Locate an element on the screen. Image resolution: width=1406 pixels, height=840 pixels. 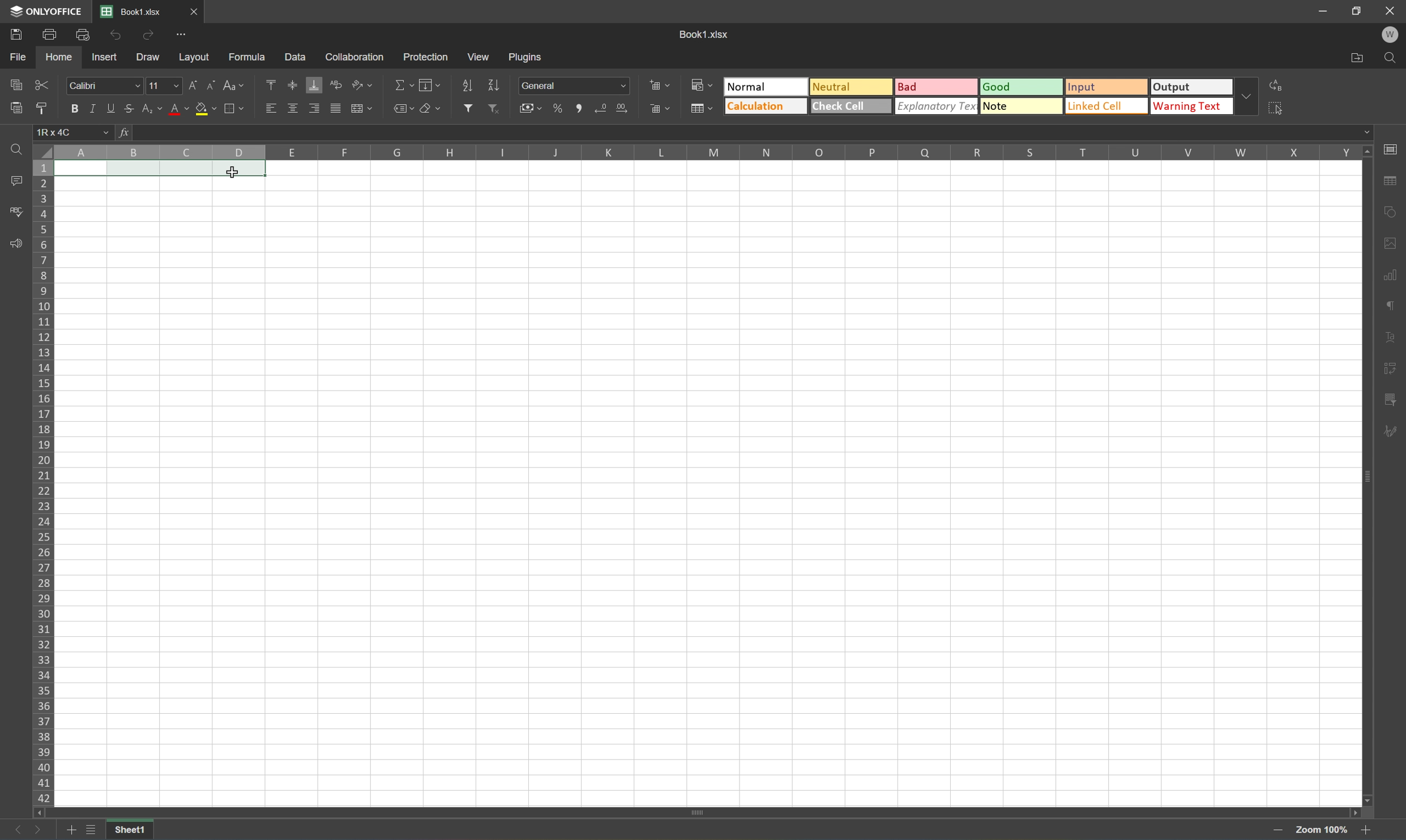
Align middle is located at coordinates (293, 85).